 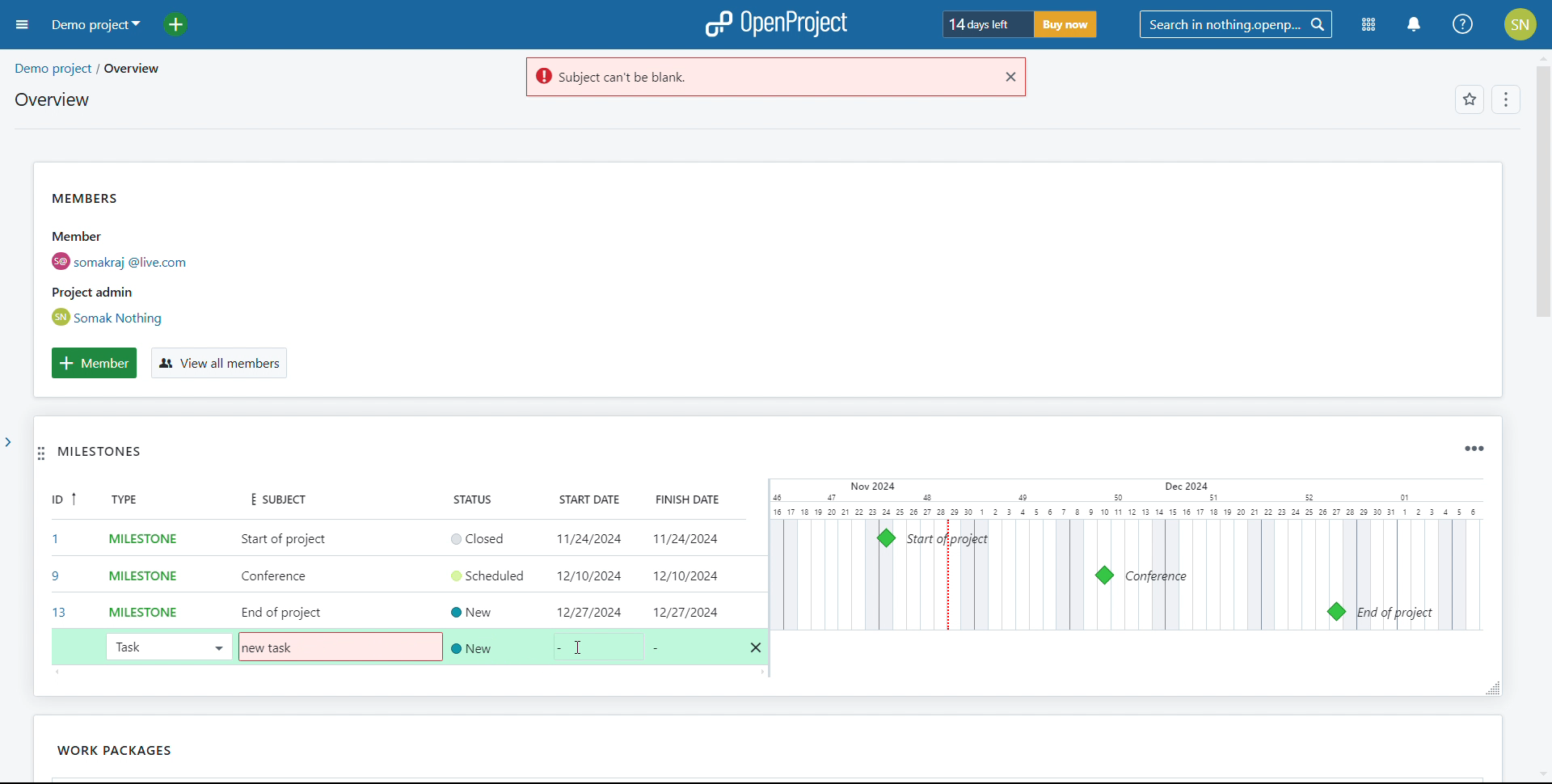 What do you see at coordinates (1235, 25) in the screenshot?
I see `search` at bounding box center [1235, 25].